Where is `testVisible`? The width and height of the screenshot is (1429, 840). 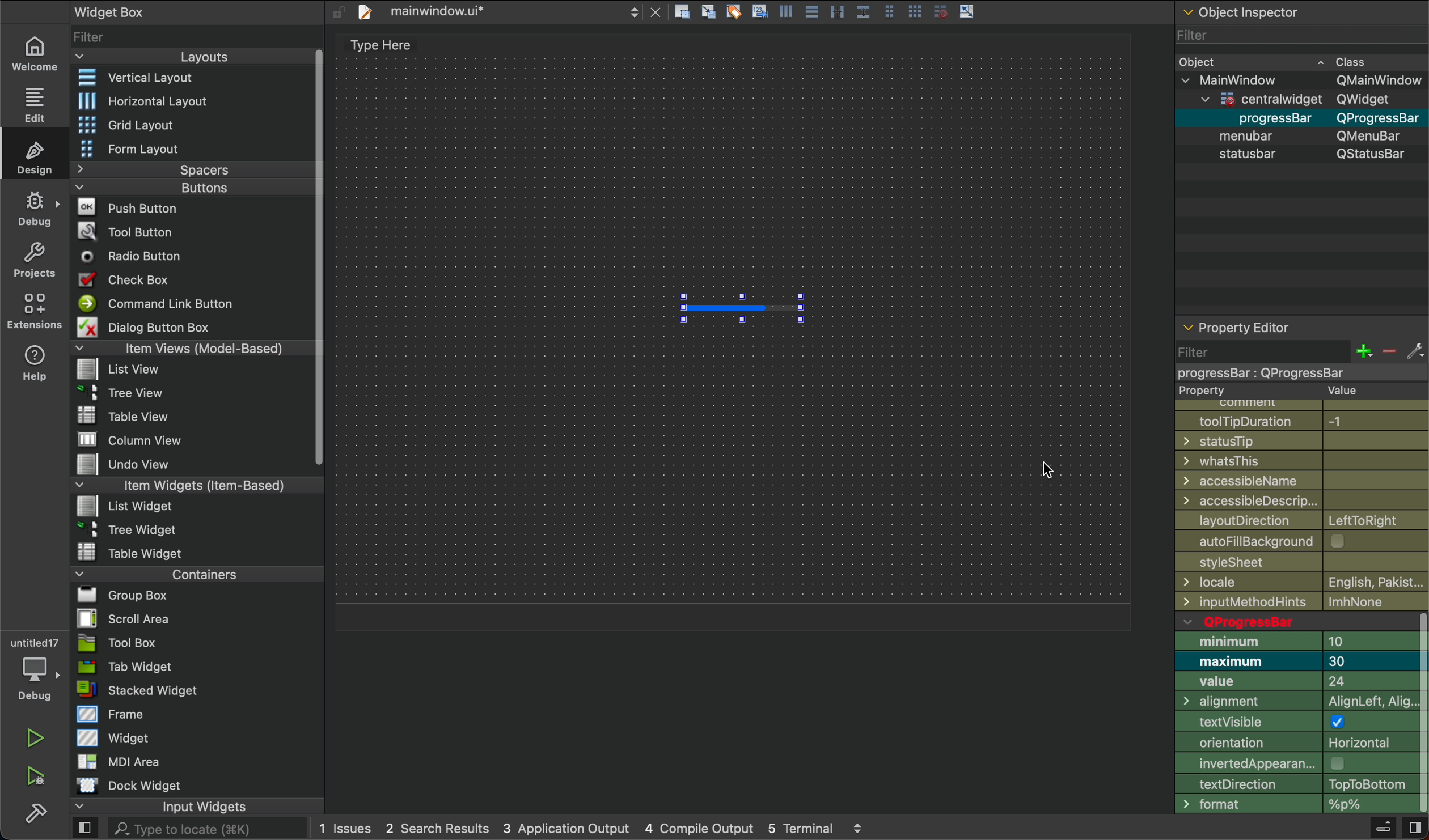 testVisible is located at coordinates (1294, 724).